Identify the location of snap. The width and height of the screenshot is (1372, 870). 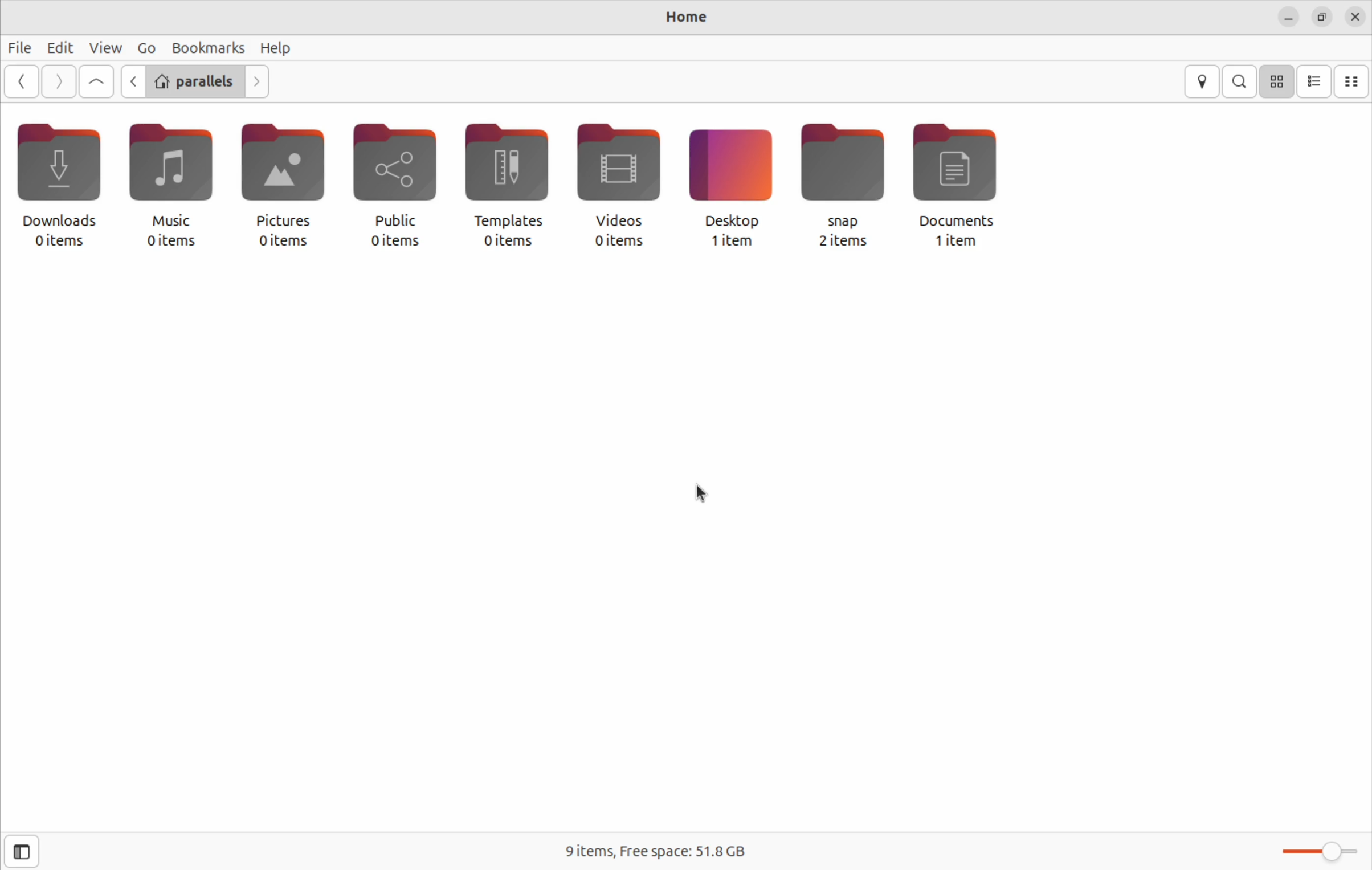
(842, 170).